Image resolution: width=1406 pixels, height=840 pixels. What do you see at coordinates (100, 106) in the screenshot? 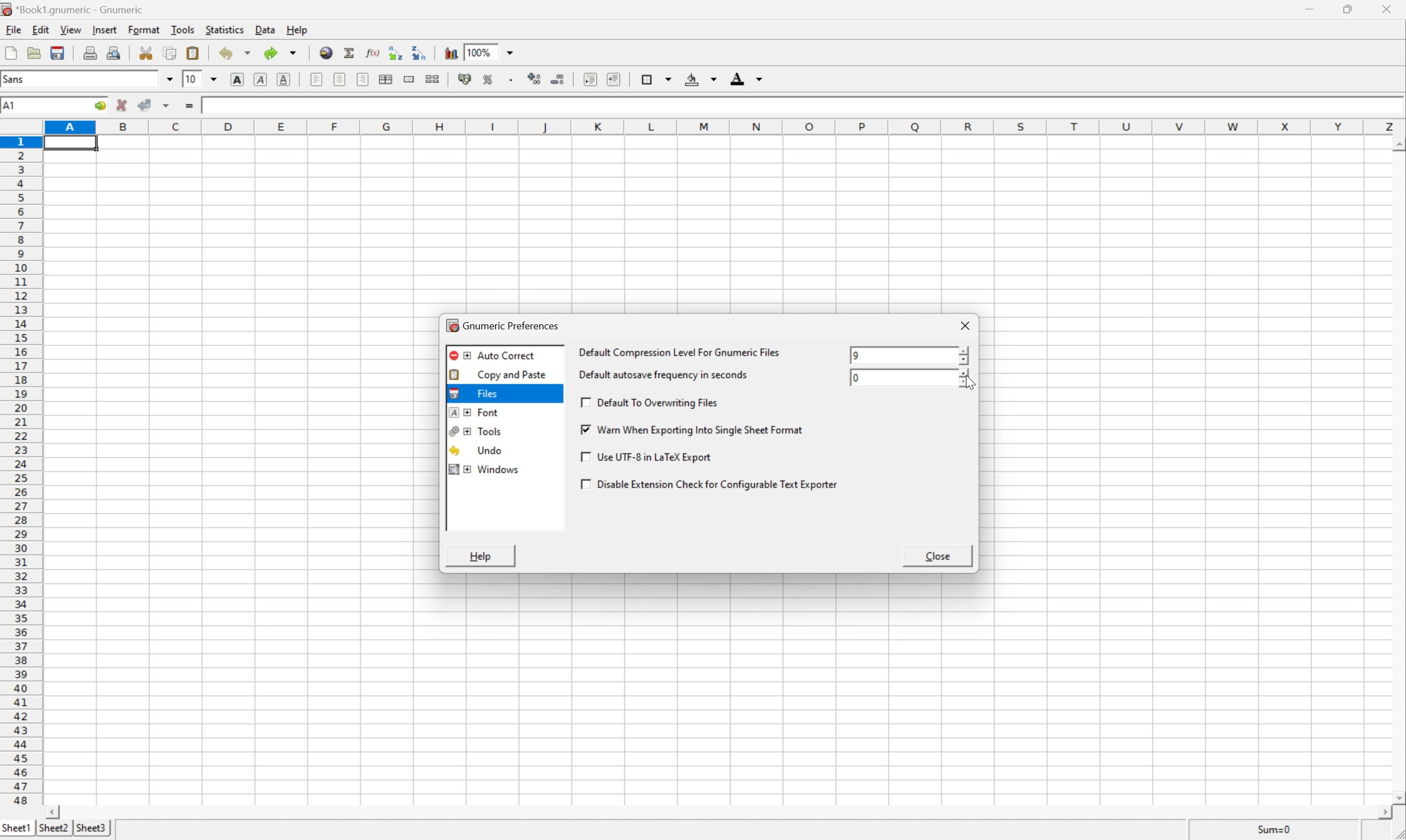
I see `go to` at bounding box center [100, 106].